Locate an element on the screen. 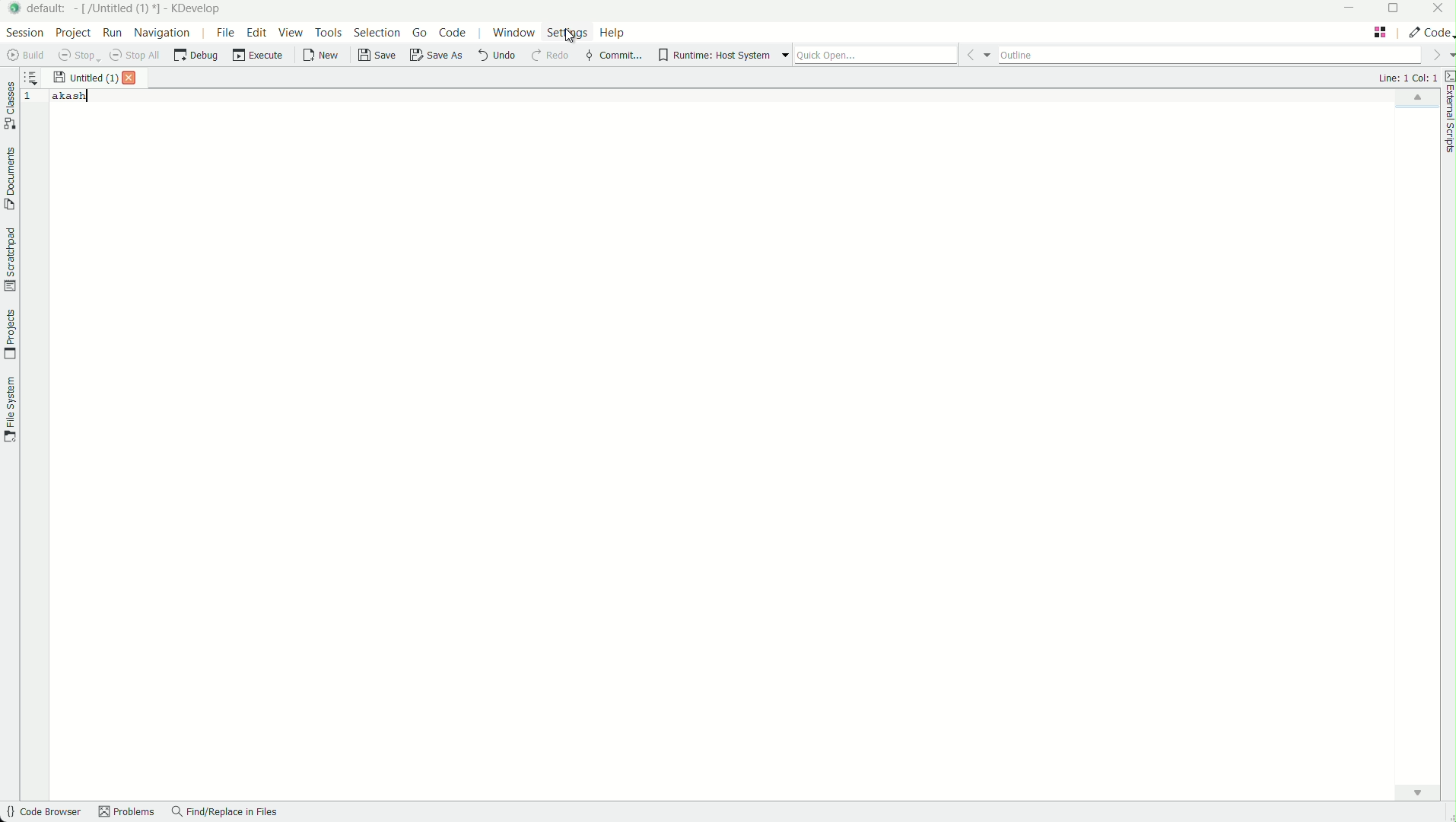 The image size is (1456, 822). new is located at coordinates (322, 57).